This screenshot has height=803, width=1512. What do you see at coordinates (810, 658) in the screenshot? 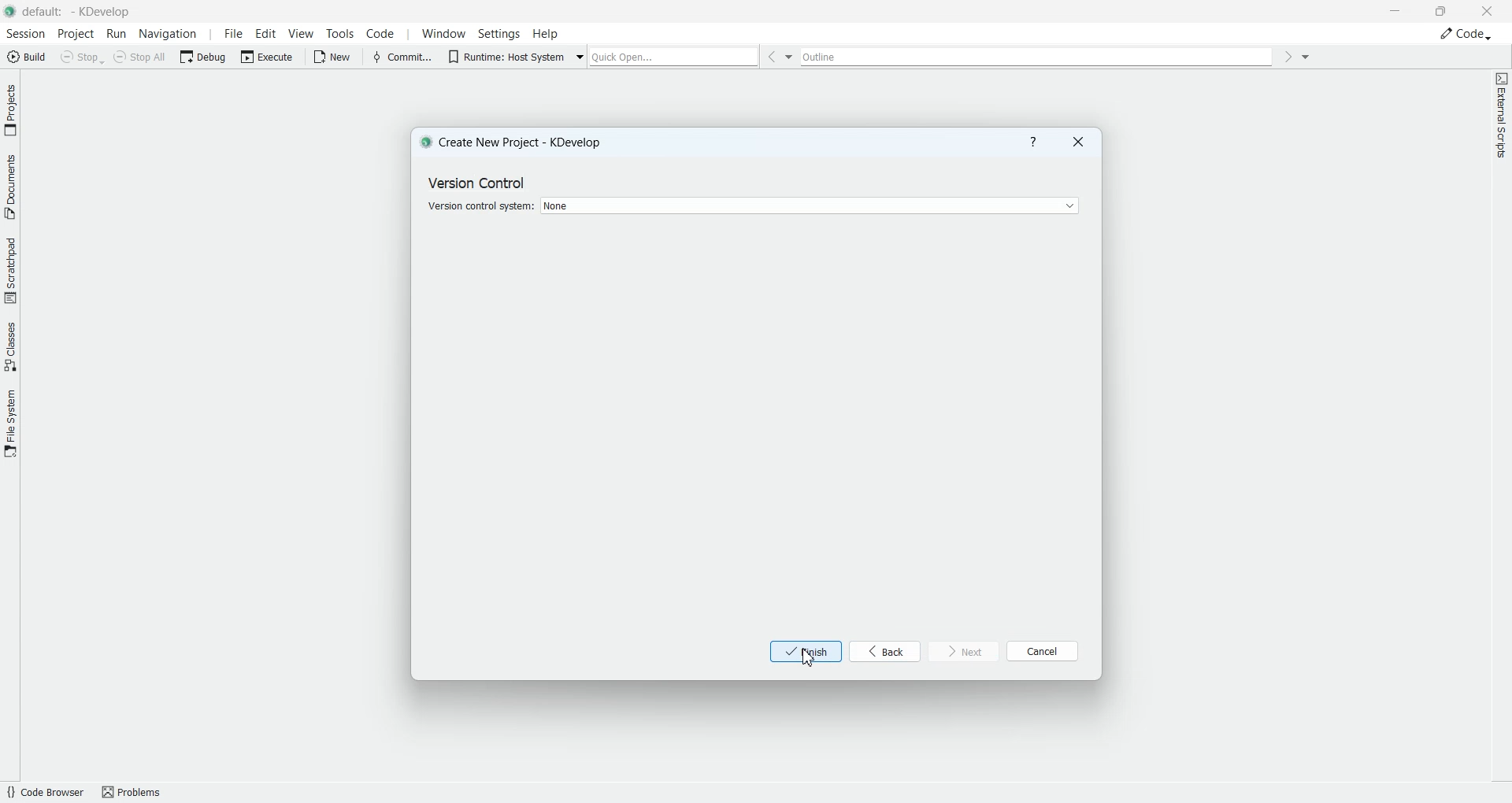
I see `Cursor` at bounding box center [810, 658].